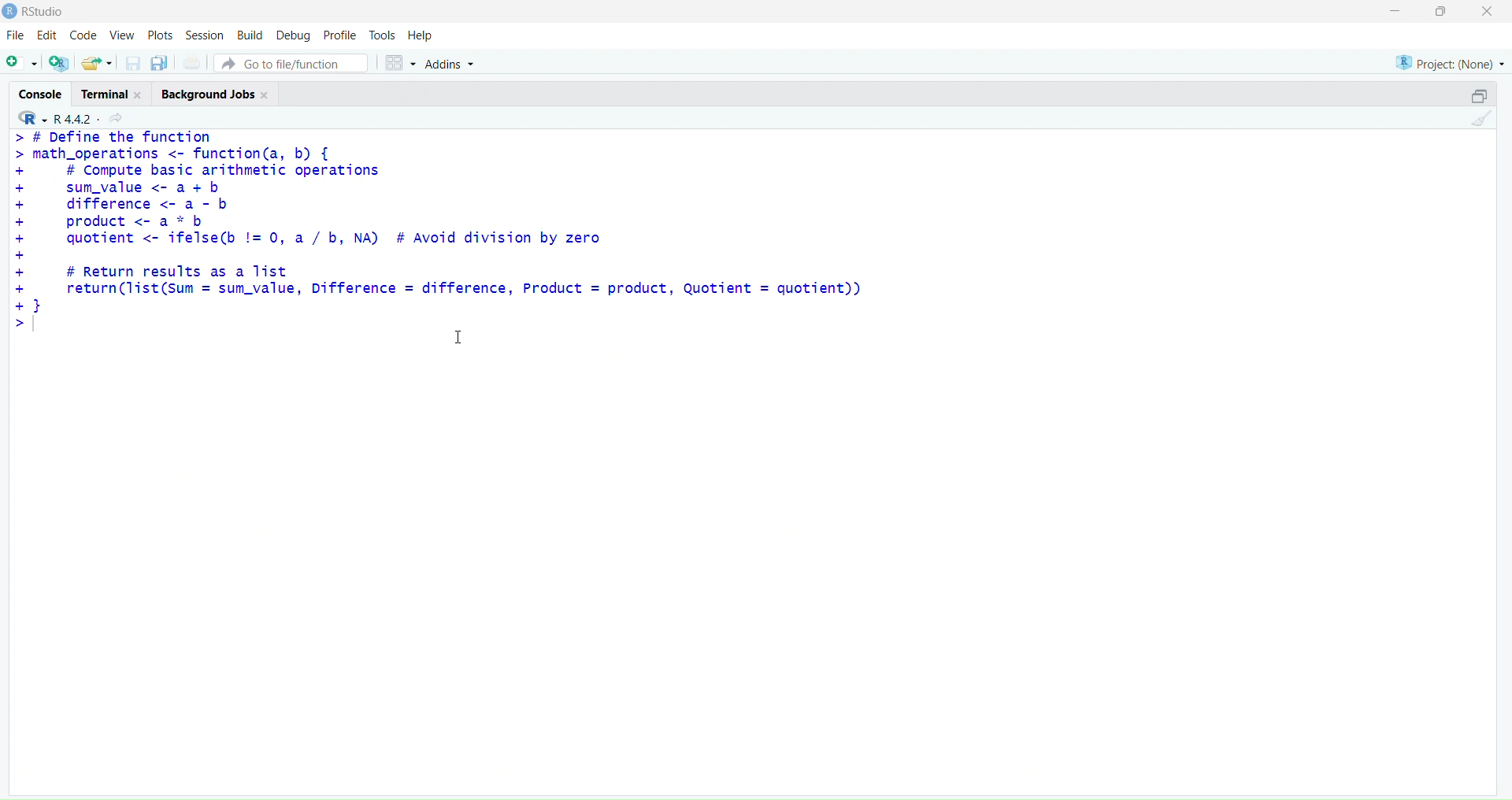 The width and height of the screenshot is (1512, 800). What do you see at coordinates (28, 119) in the screenshot?
I see `R` at bounding box center [28, 119].